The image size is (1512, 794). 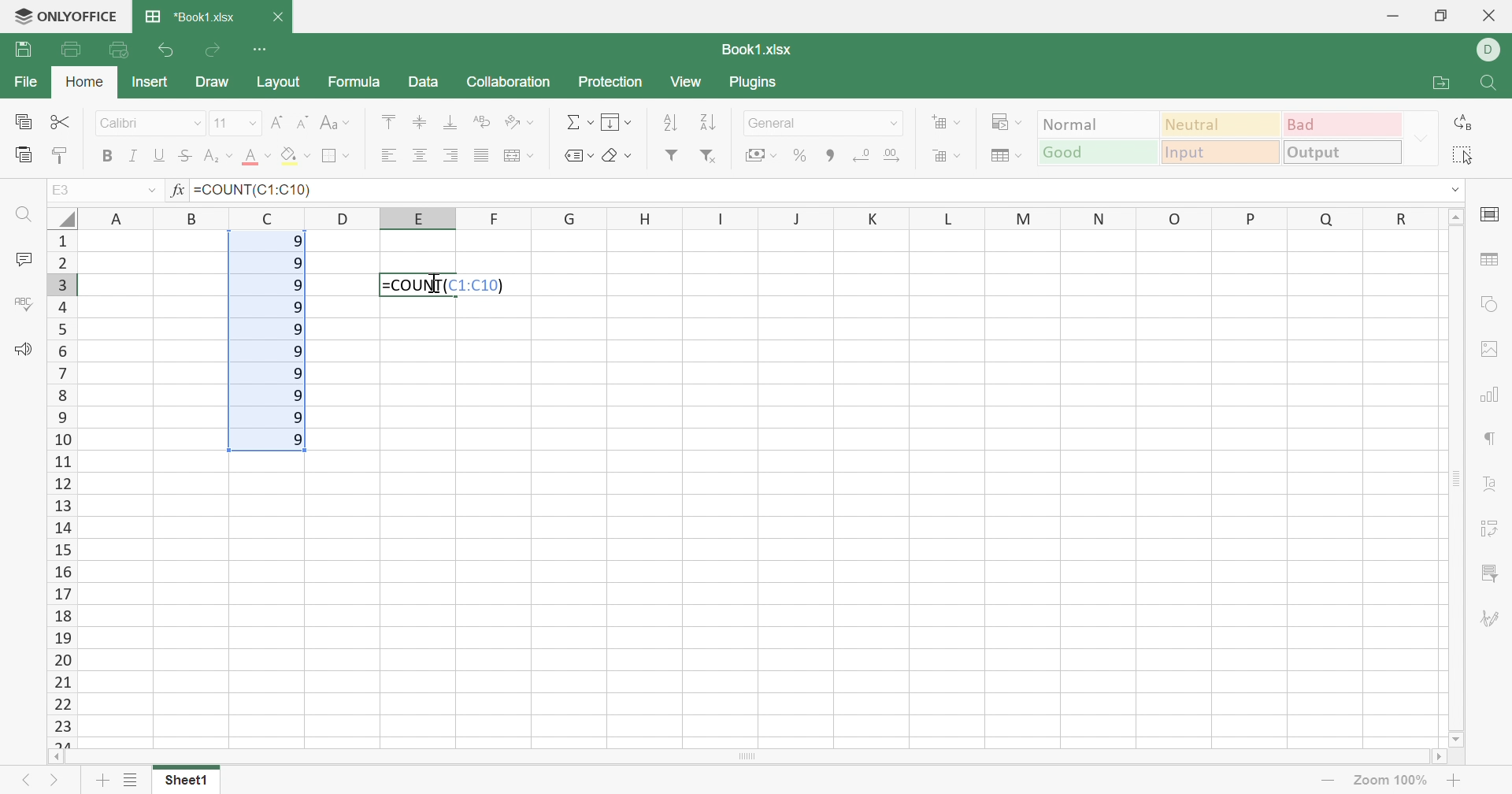 What do you see at coordinates (1492, 441) in the screenshot?
I see `Paragraph settings` at bounding box center [1492, 441].